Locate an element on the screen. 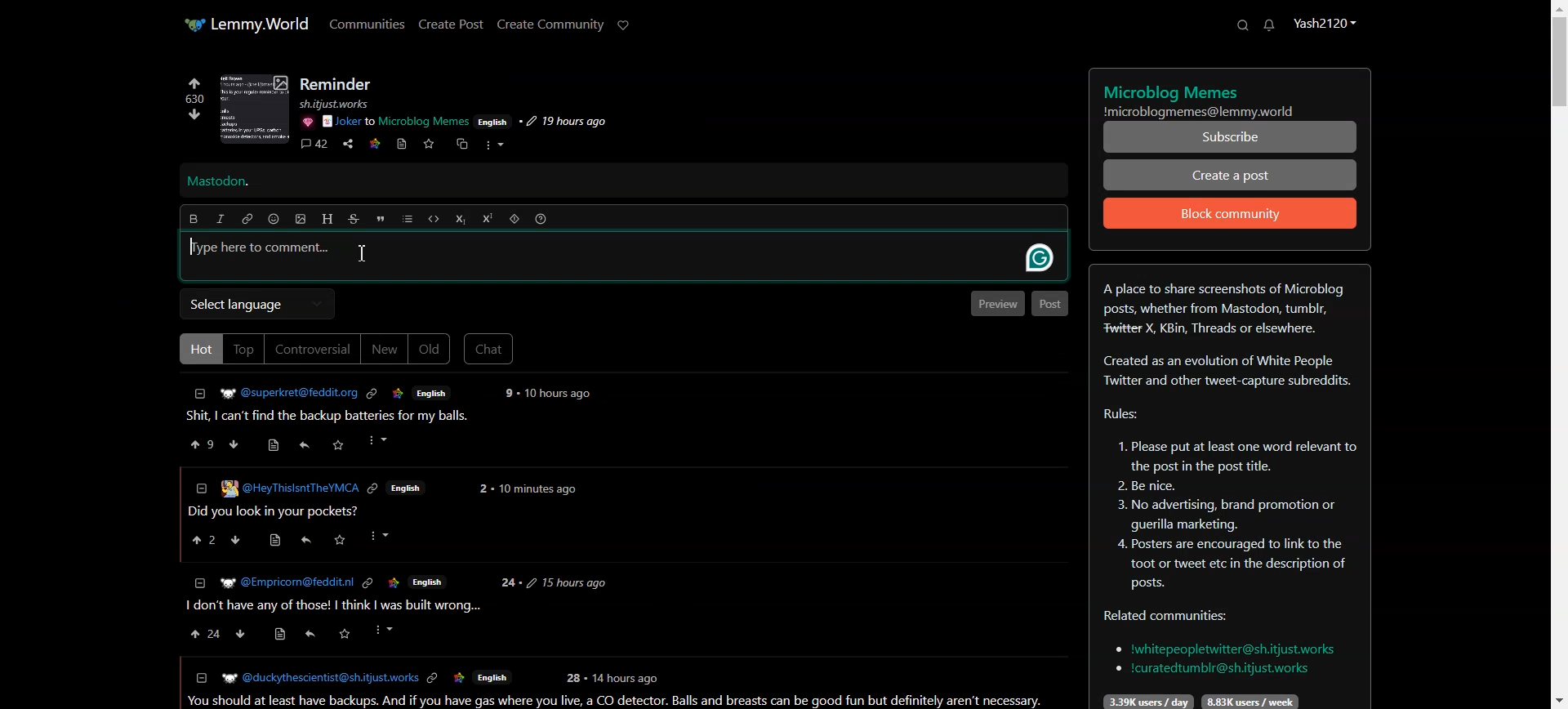 This screenshot has height=709, width=1568.  is located at coordinates (567, 582).